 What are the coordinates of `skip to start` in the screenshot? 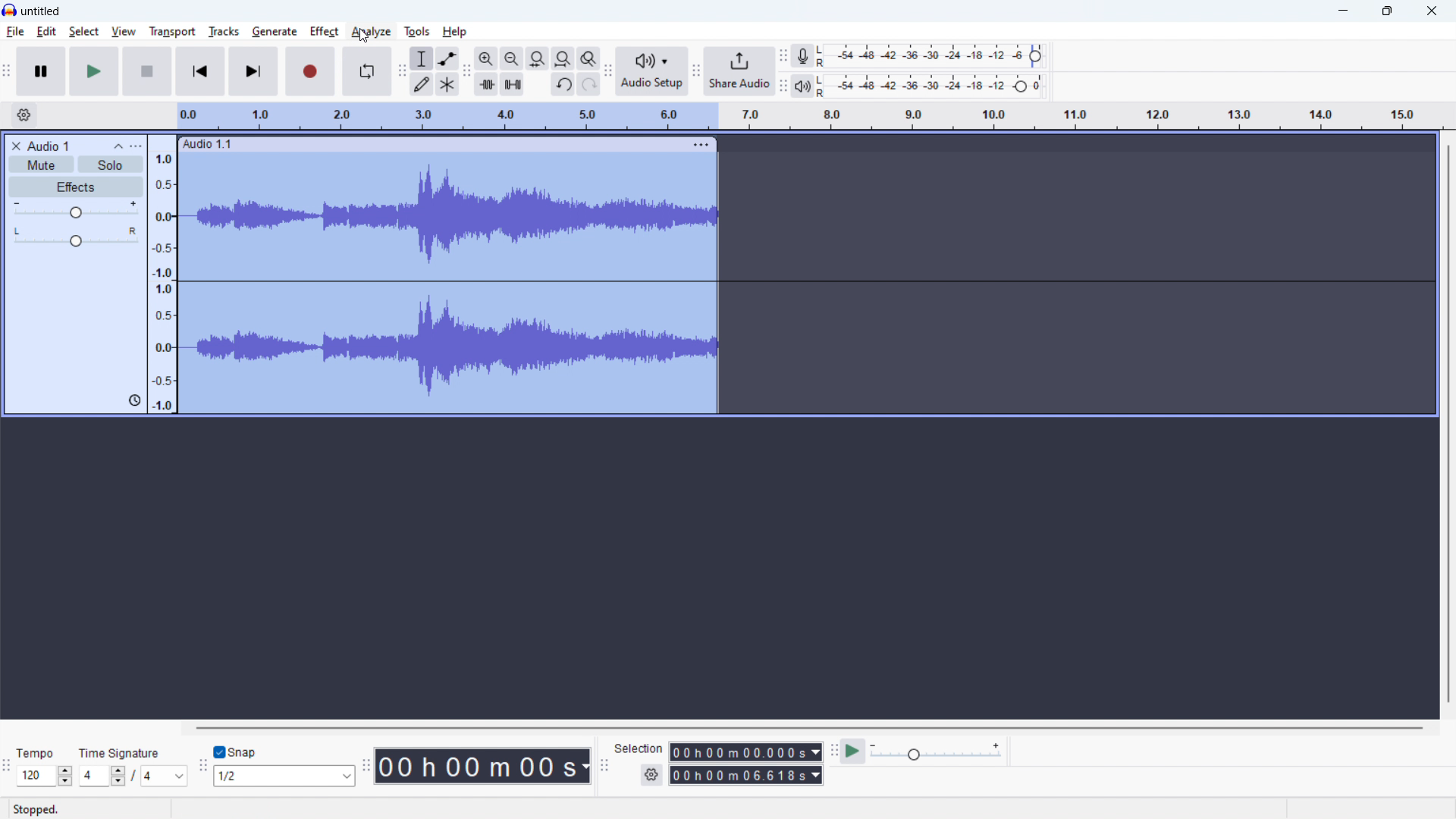 It's located at (200, 71).